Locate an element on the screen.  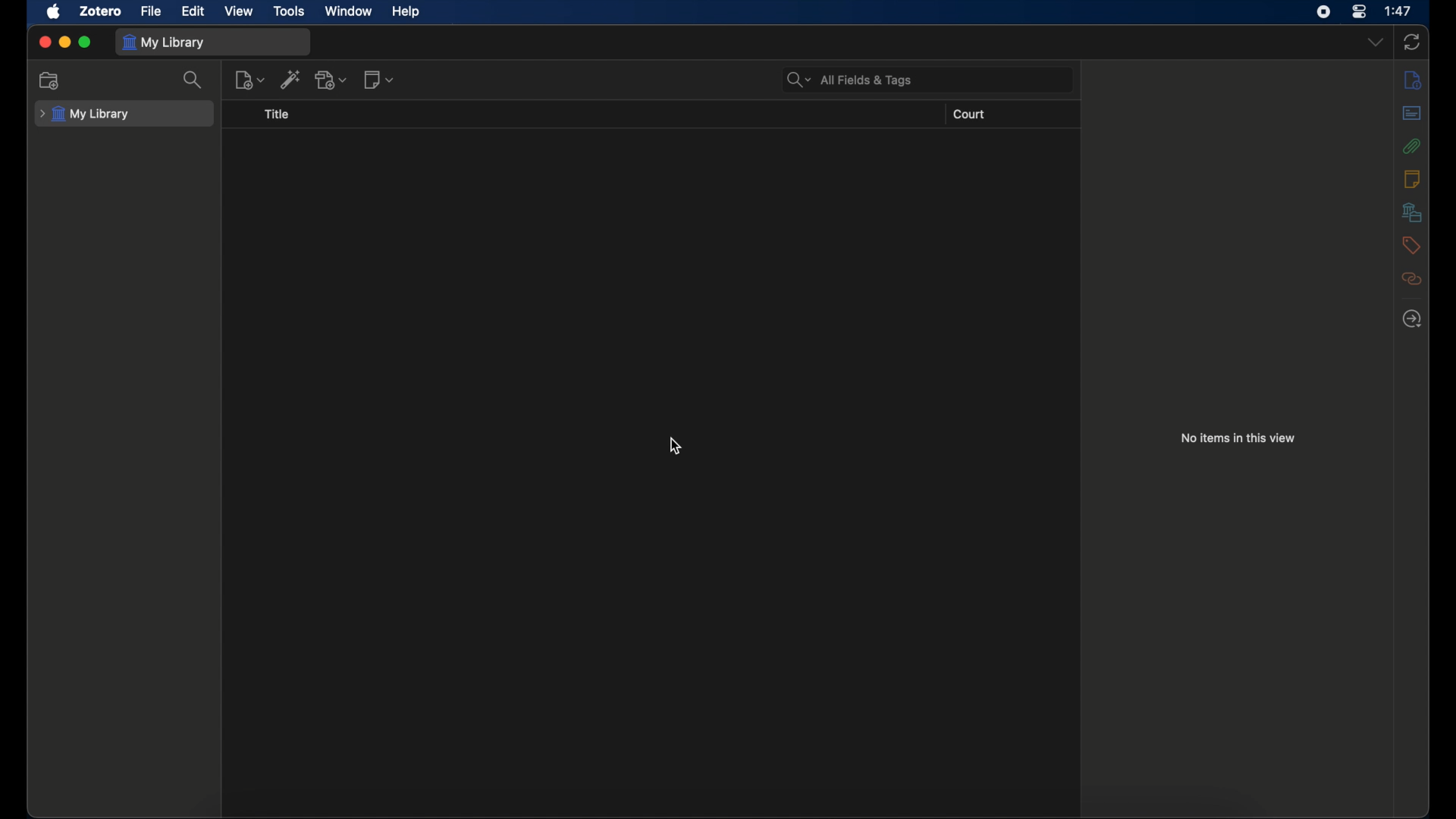
zotero is located at coordinates (99, 11).